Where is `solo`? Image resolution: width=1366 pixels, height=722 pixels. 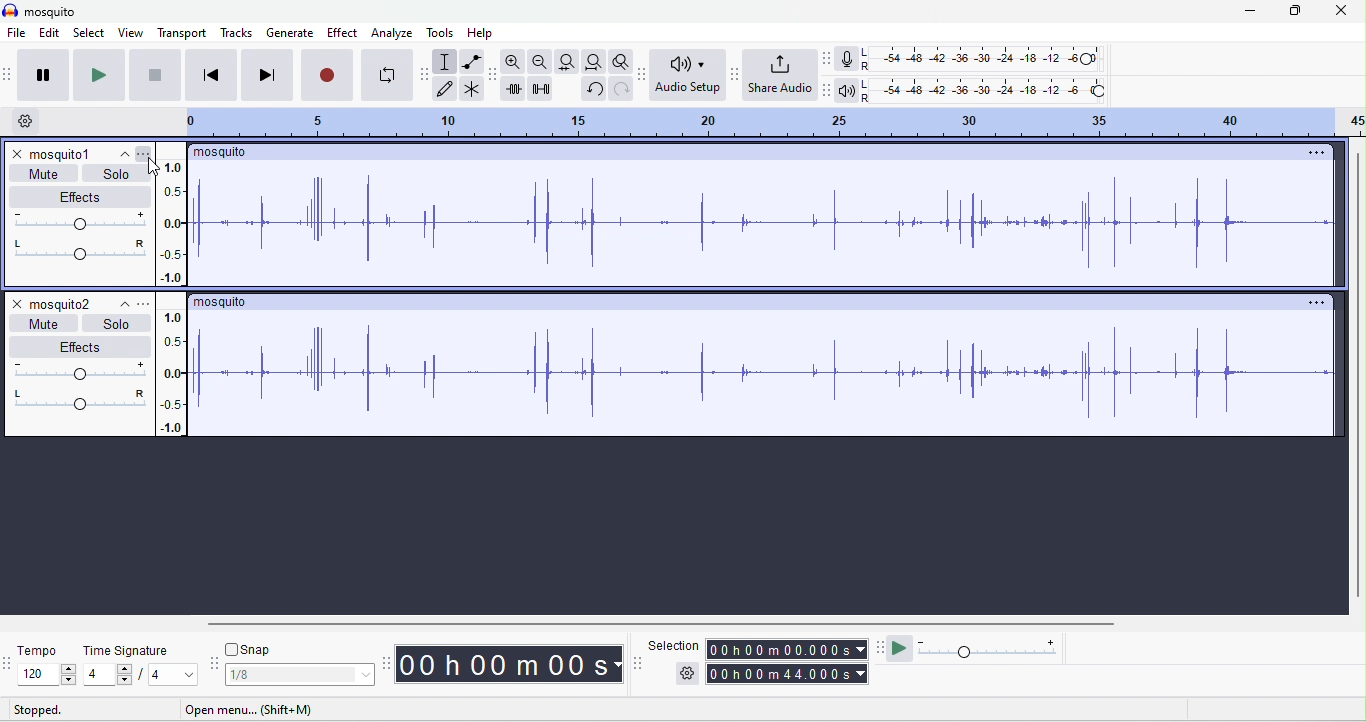 solo is located at coordinates (114, 173).